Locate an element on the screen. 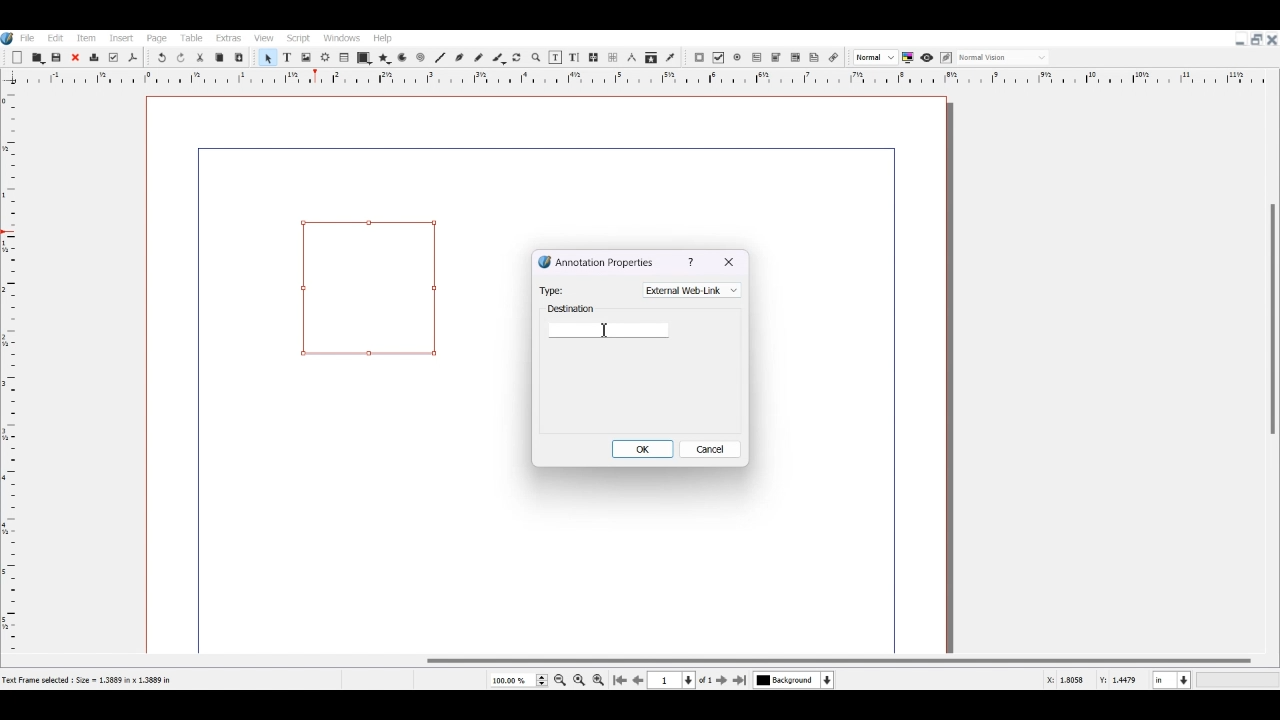 The height and width of the screenshot is (720, 1280). Table is located at coordinates (345, 58).